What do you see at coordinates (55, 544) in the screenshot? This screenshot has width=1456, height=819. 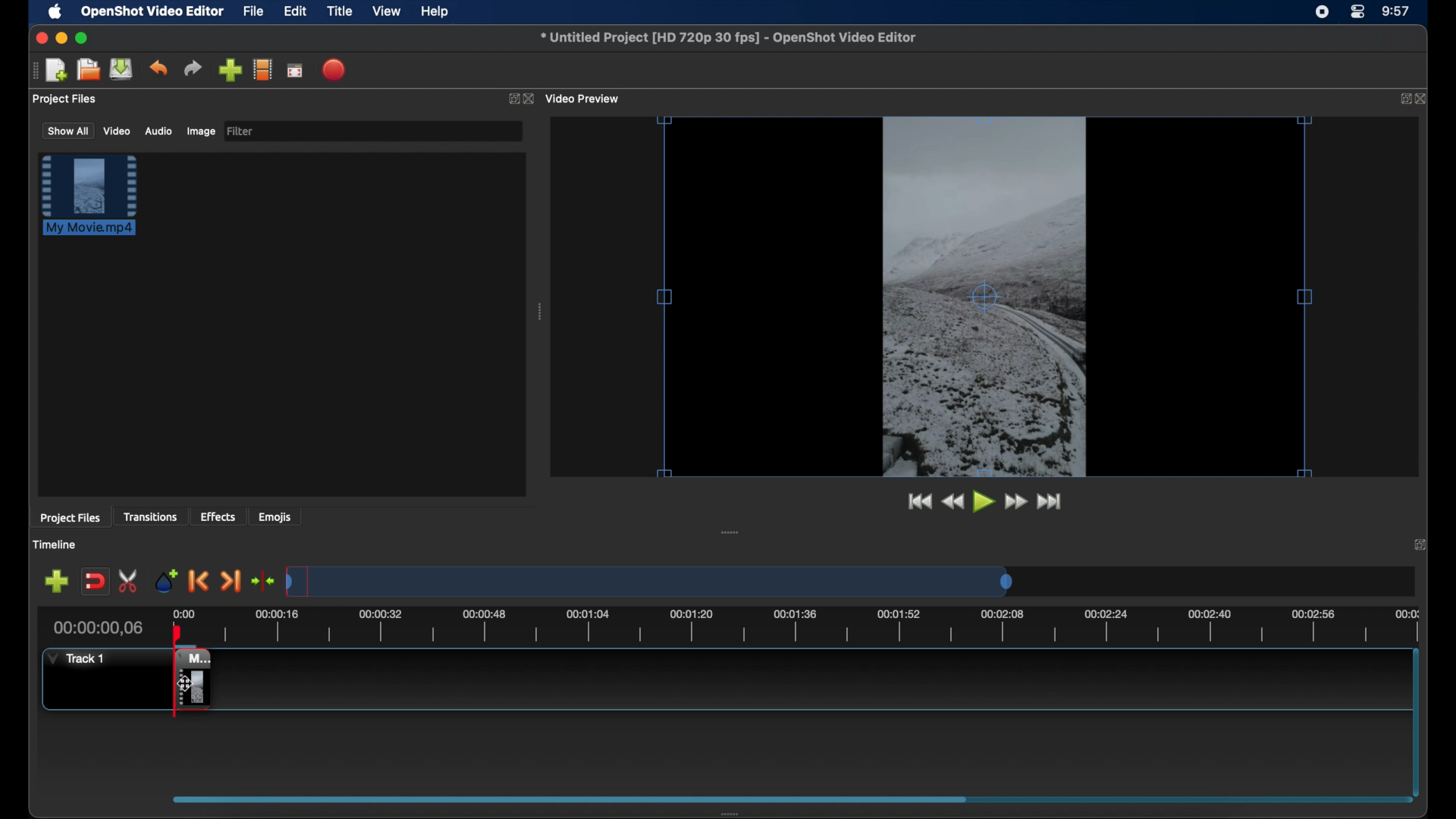 I see `timeline` at bounding box center [55, 544].